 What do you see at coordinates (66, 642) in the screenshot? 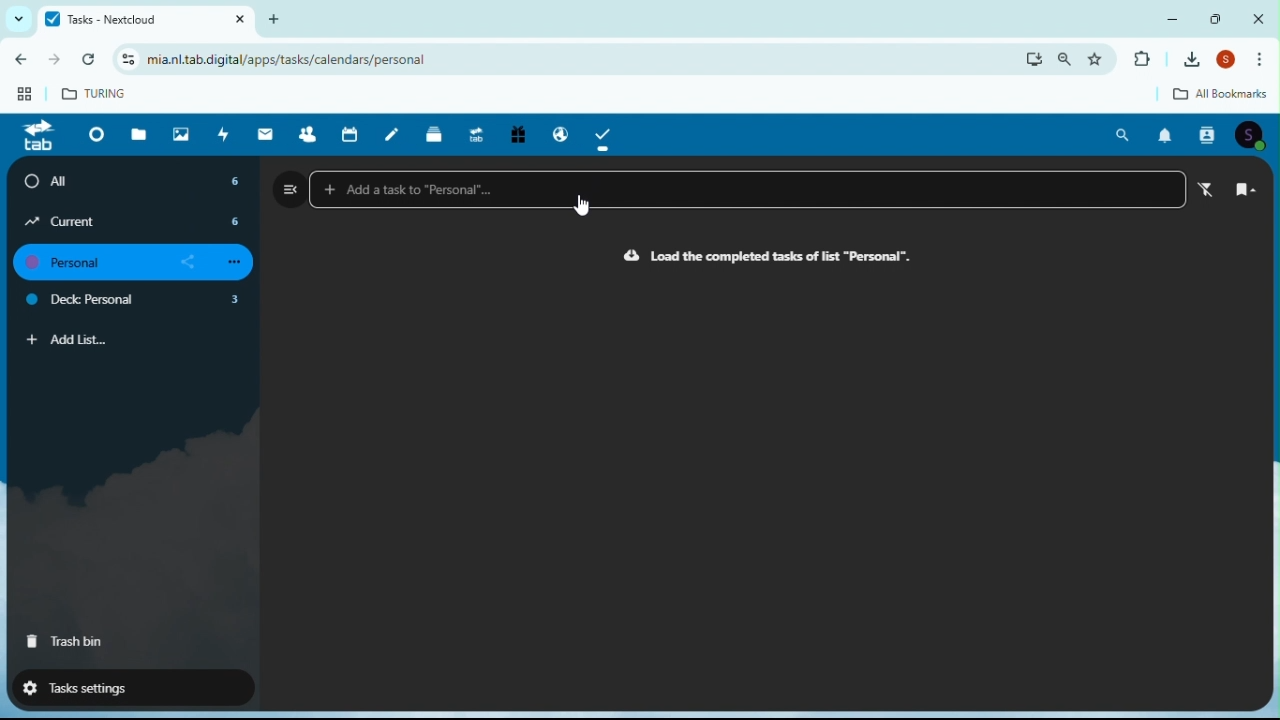
I see `trashbin` at bounding box center [66, 642].